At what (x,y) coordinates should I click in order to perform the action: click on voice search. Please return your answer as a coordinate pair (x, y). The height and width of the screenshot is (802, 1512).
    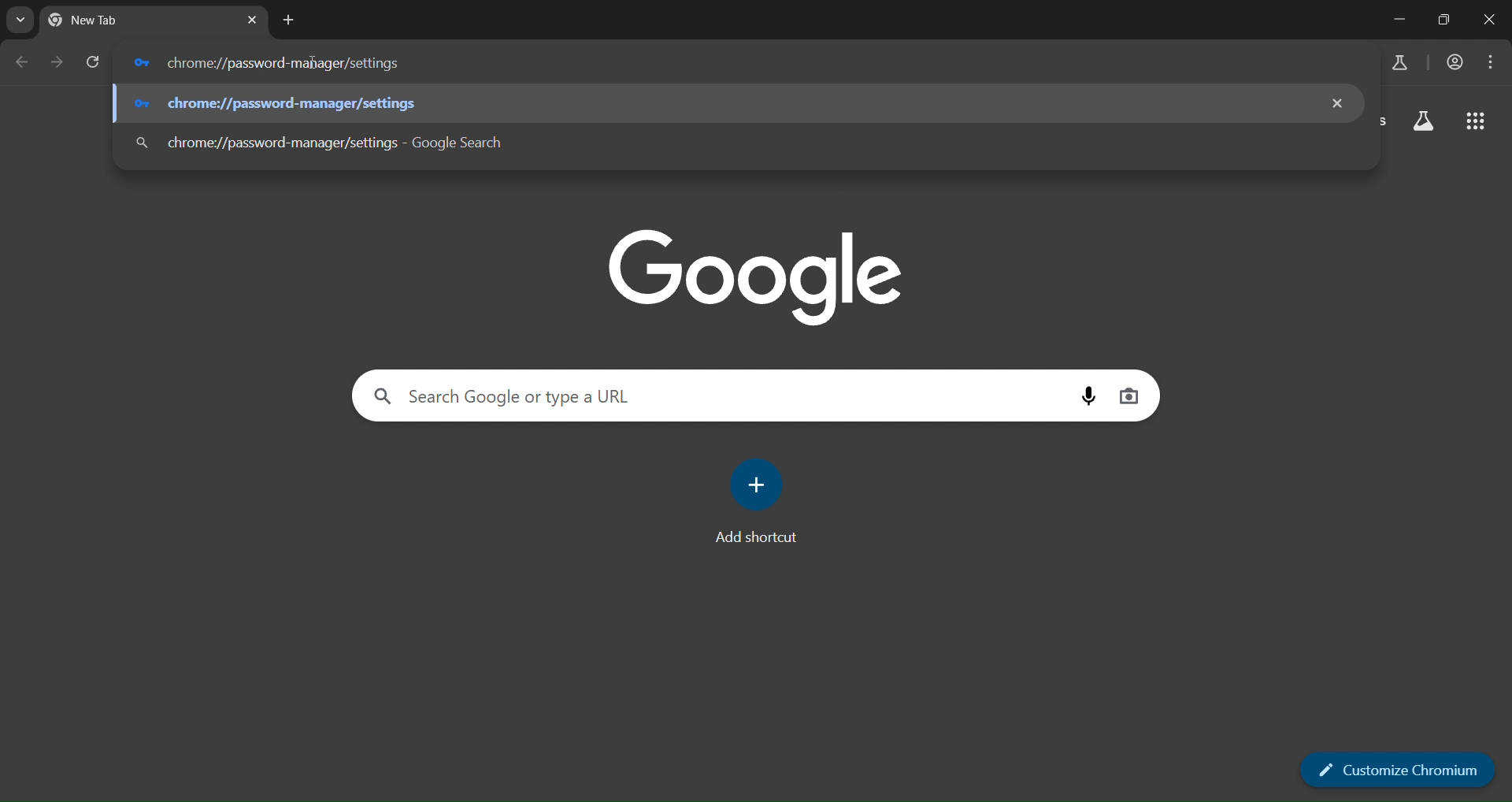
    Looking at the image, I should click on (1131, 398).